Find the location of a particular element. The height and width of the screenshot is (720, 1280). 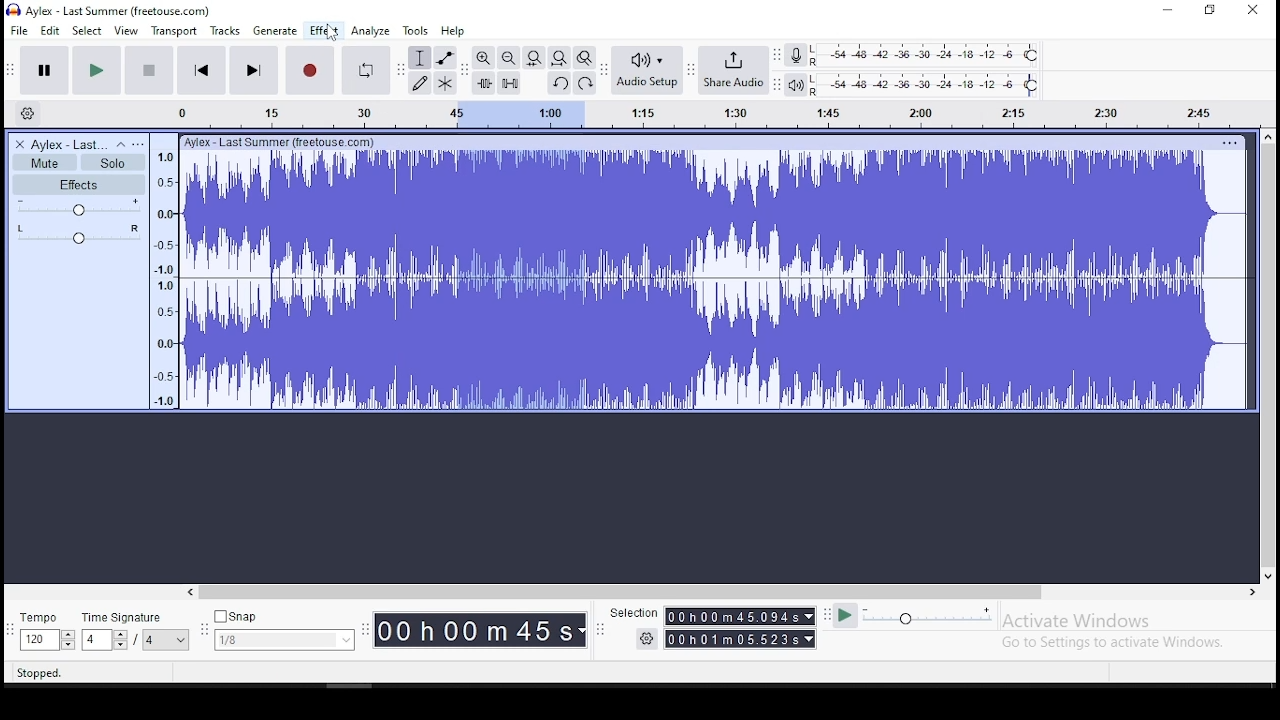

solo is located at coordinates (112, 163).